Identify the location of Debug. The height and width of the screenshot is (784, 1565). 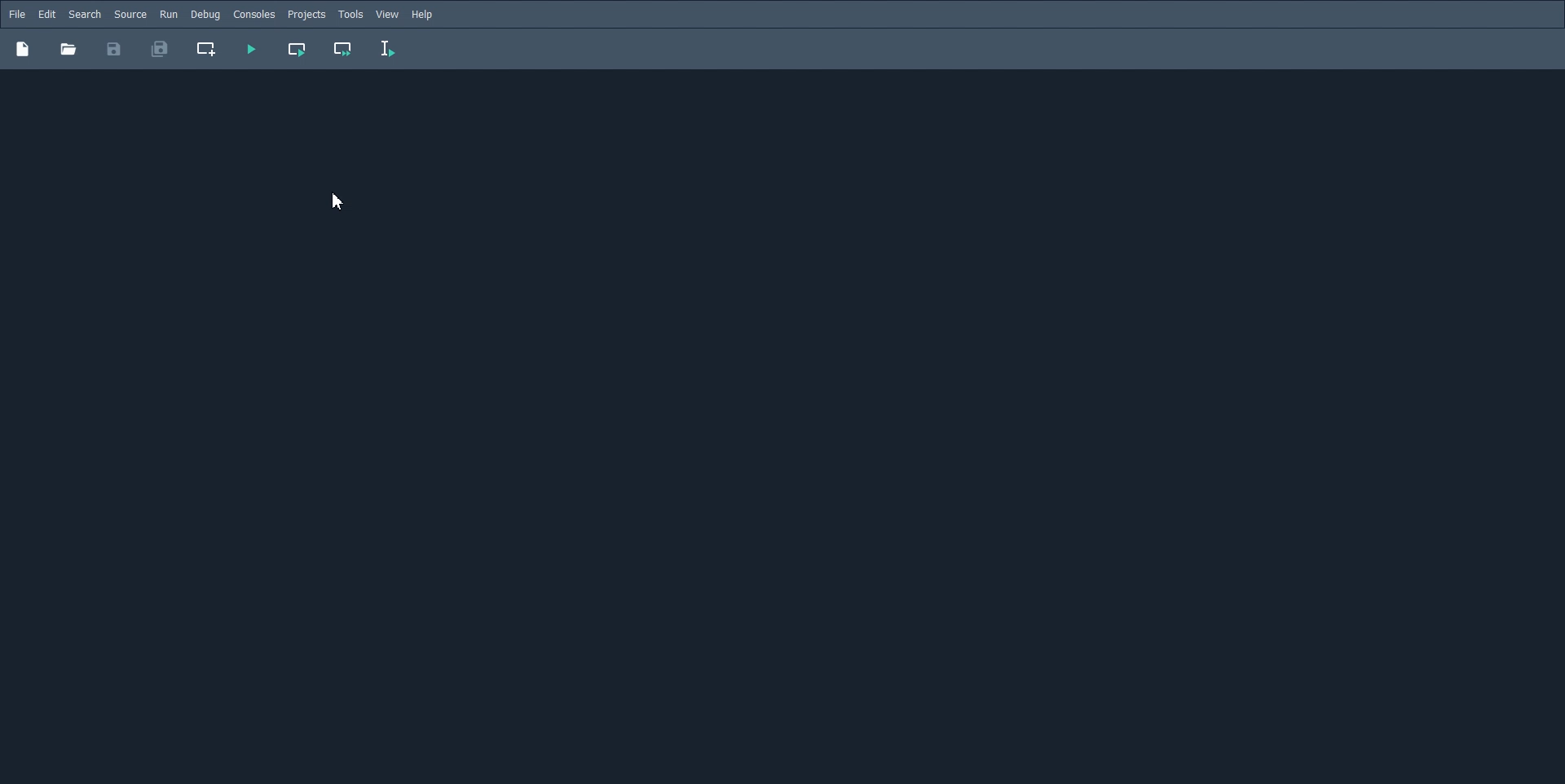
(205, 14).